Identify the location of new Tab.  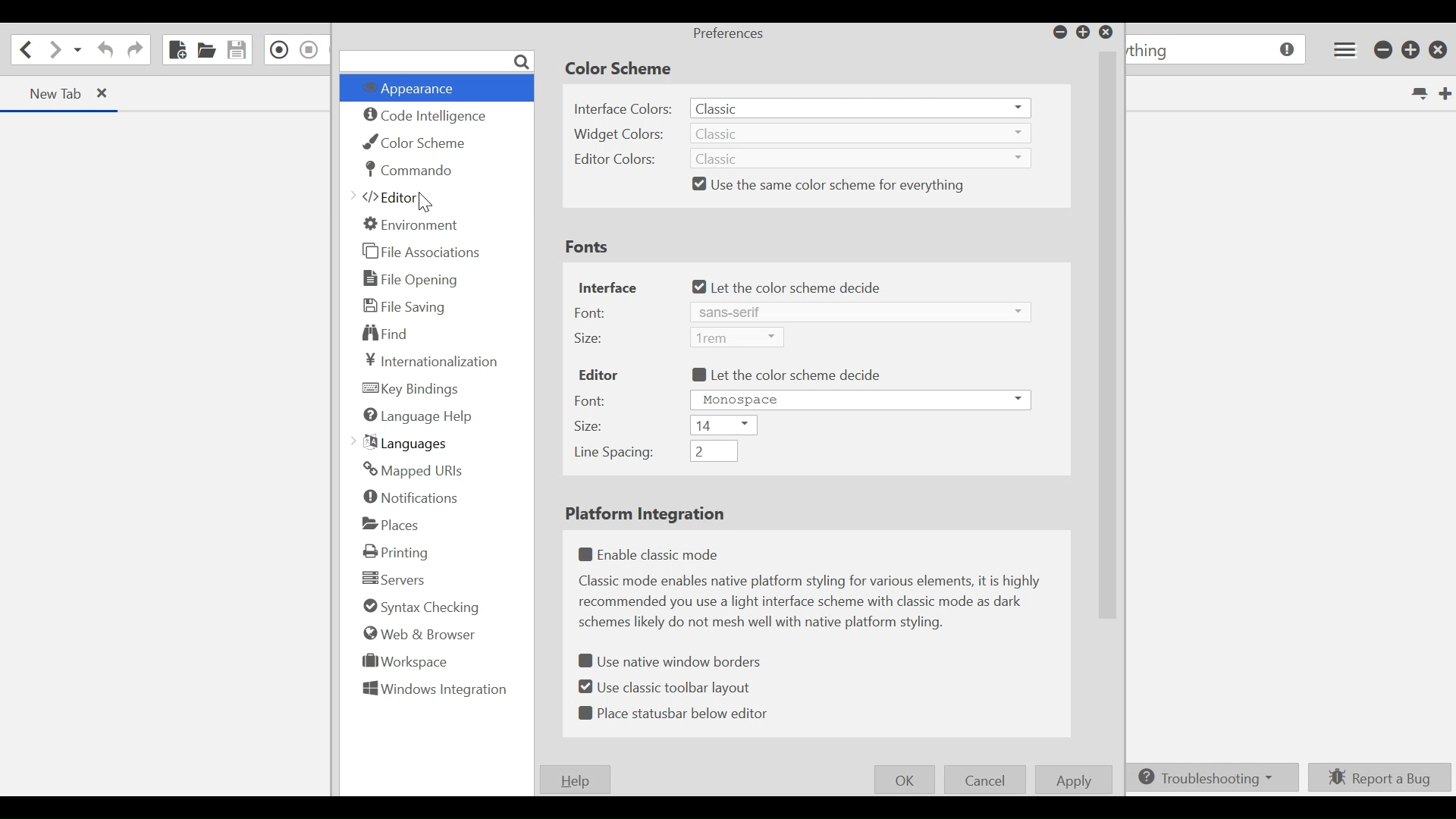
(53, 93).